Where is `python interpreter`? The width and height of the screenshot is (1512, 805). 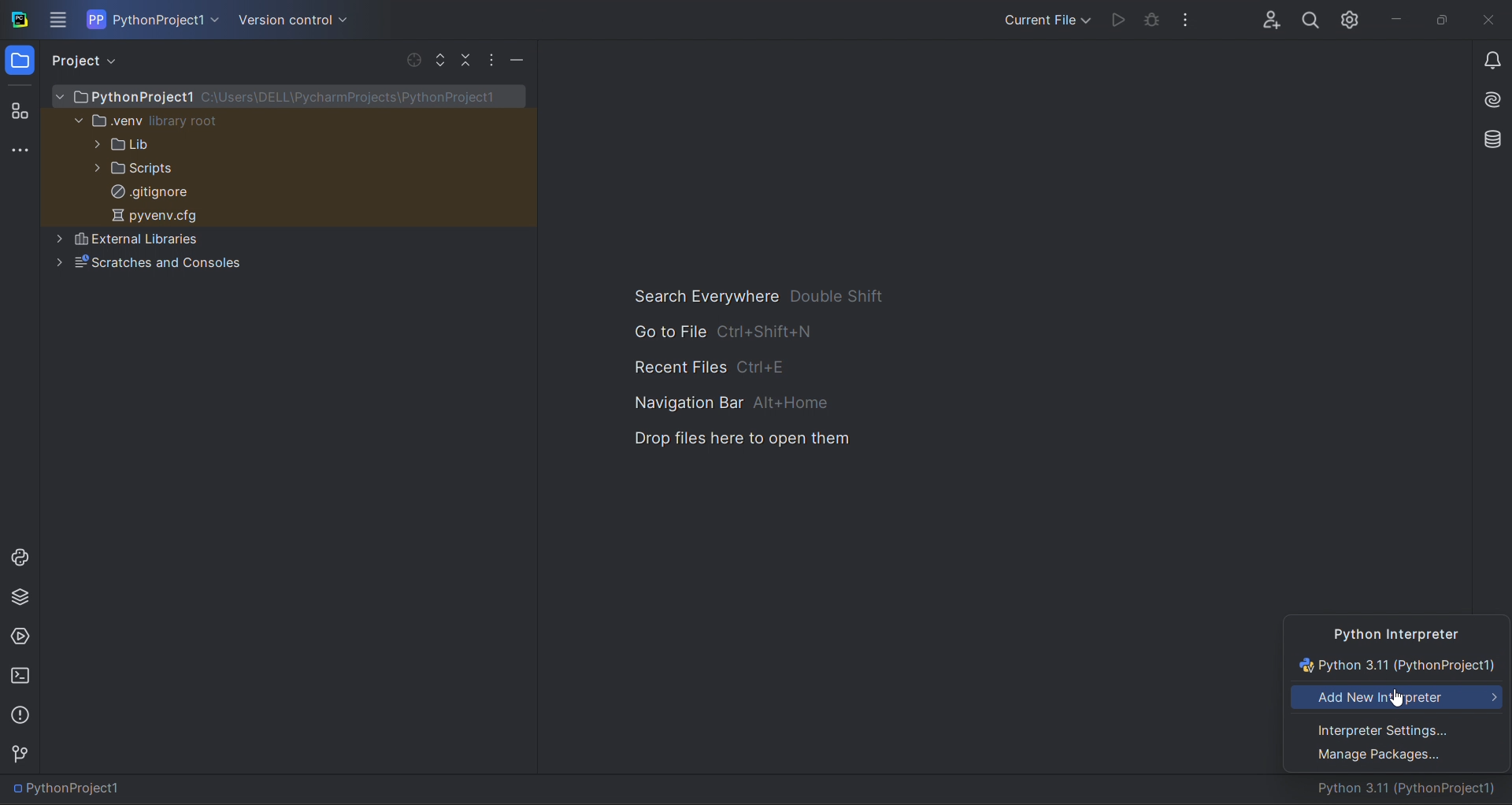
python interpreter is located at coordinates (1398, 632).